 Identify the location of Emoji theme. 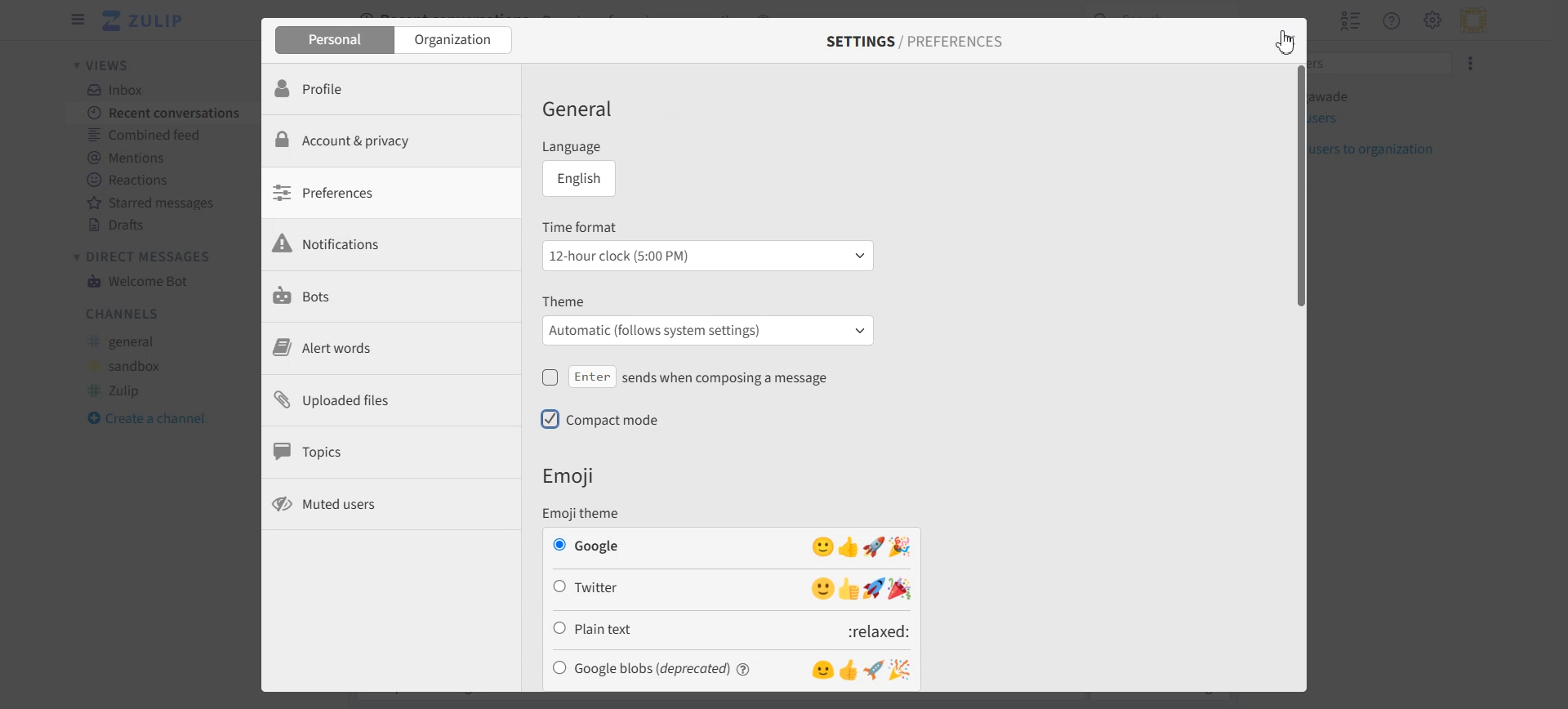
(596, 513).